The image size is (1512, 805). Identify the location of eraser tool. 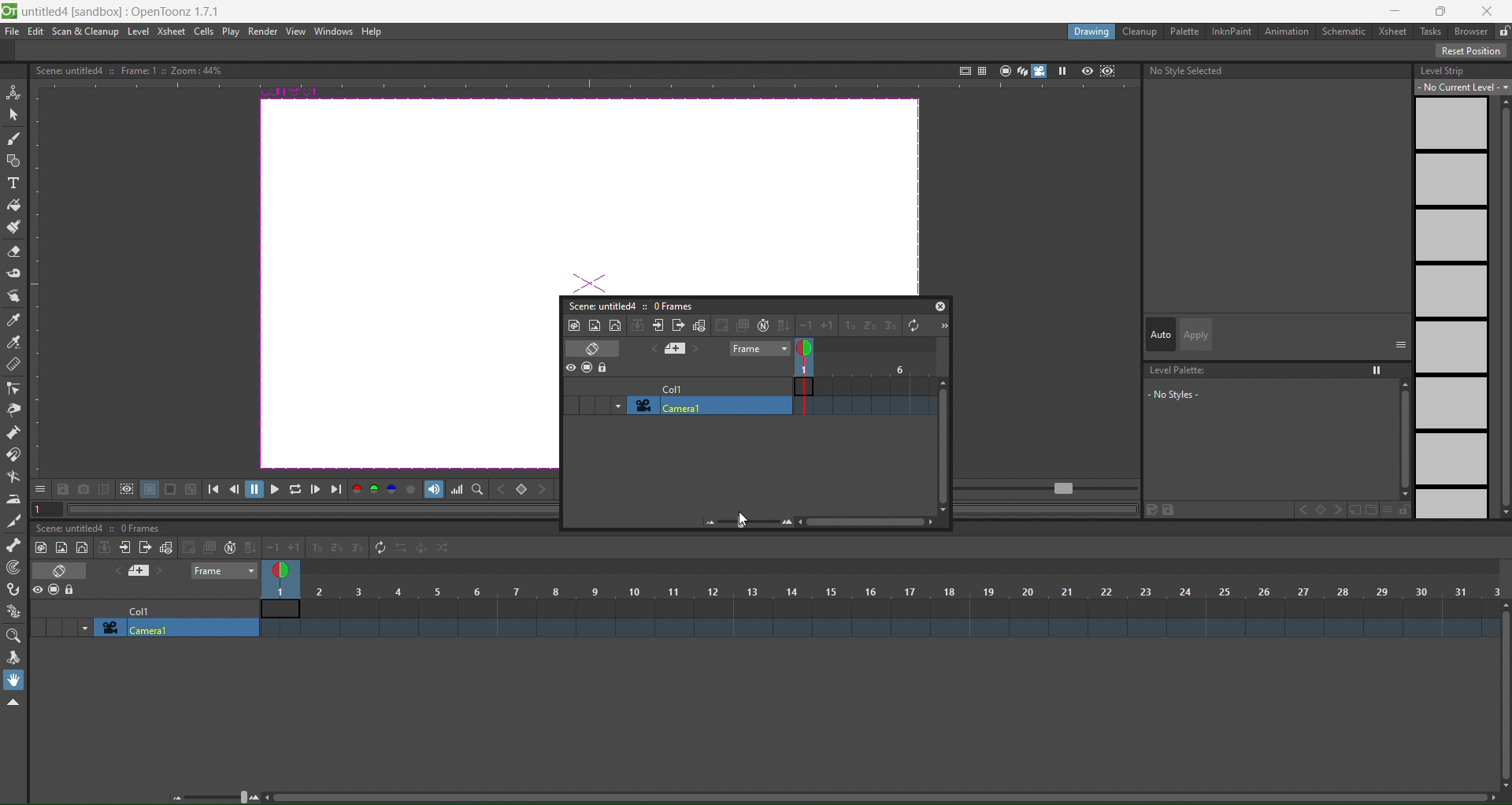
(14, 253).